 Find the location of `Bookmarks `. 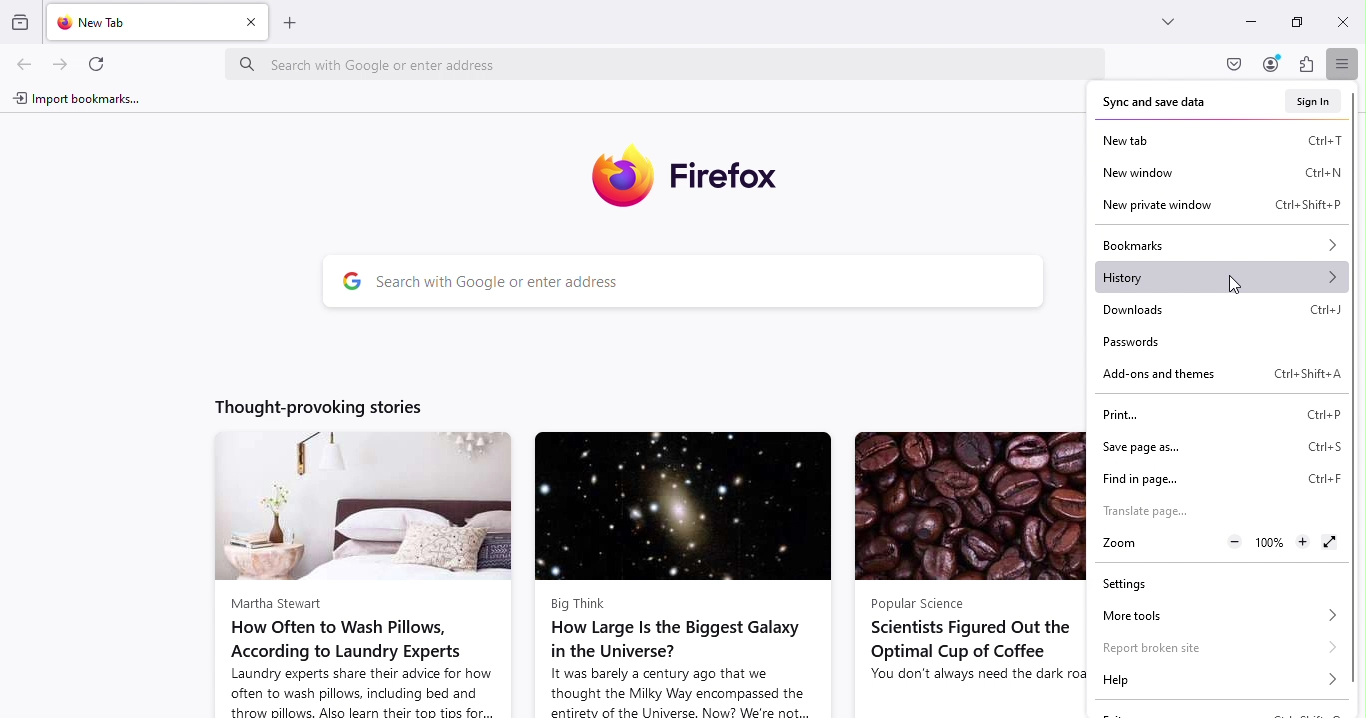

Bookmarks  is located at coordinates (1219, 243).